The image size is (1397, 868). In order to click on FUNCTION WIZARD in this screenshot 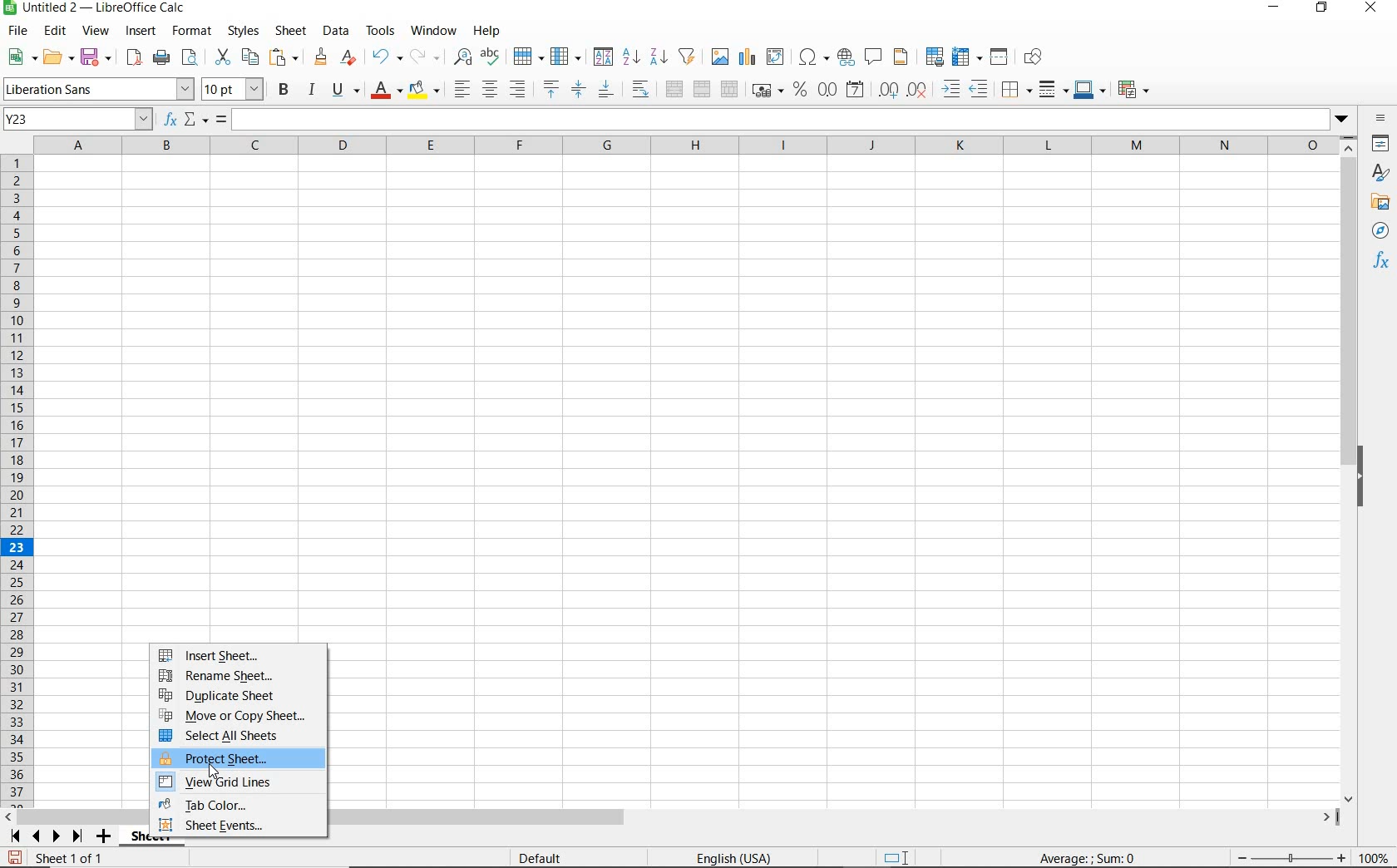, I will do `click(170, 121)`.